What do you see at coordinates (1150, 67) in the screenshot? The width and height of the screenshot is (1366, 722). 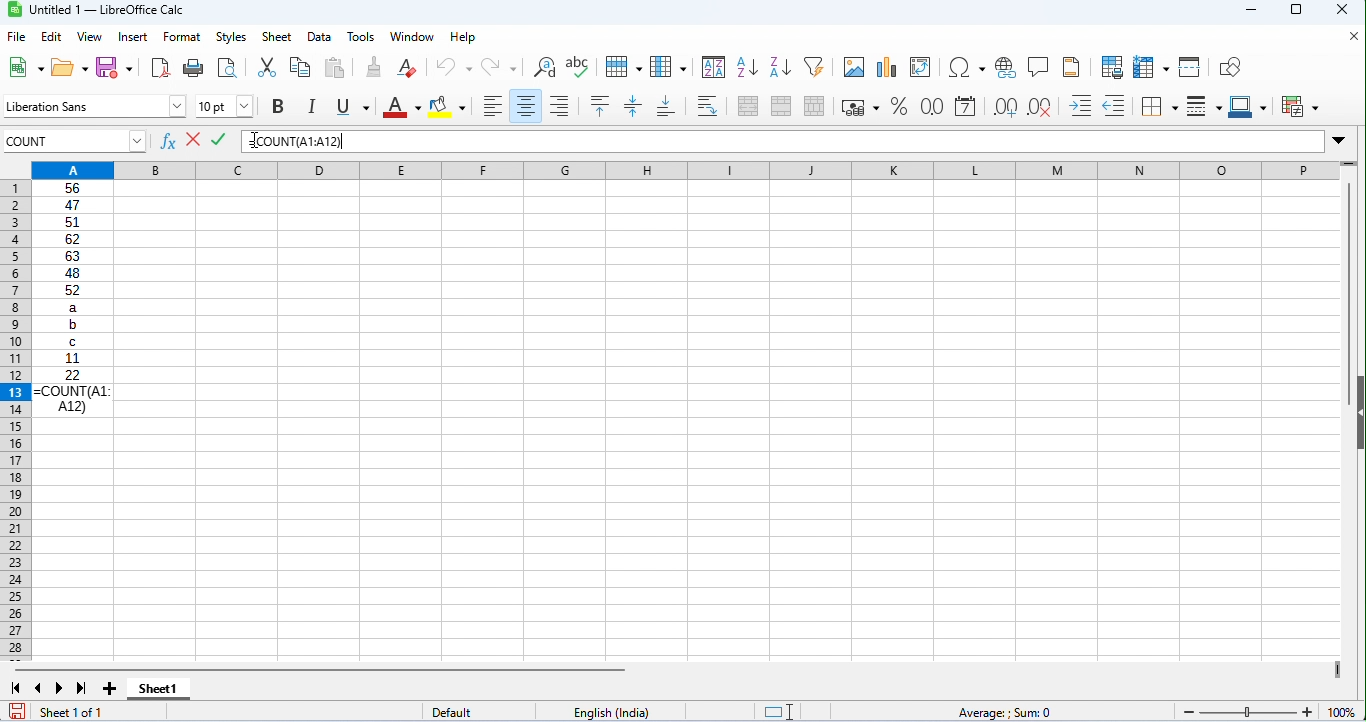 I see `freeze rows and columns` at bounding box center [1150, 67].